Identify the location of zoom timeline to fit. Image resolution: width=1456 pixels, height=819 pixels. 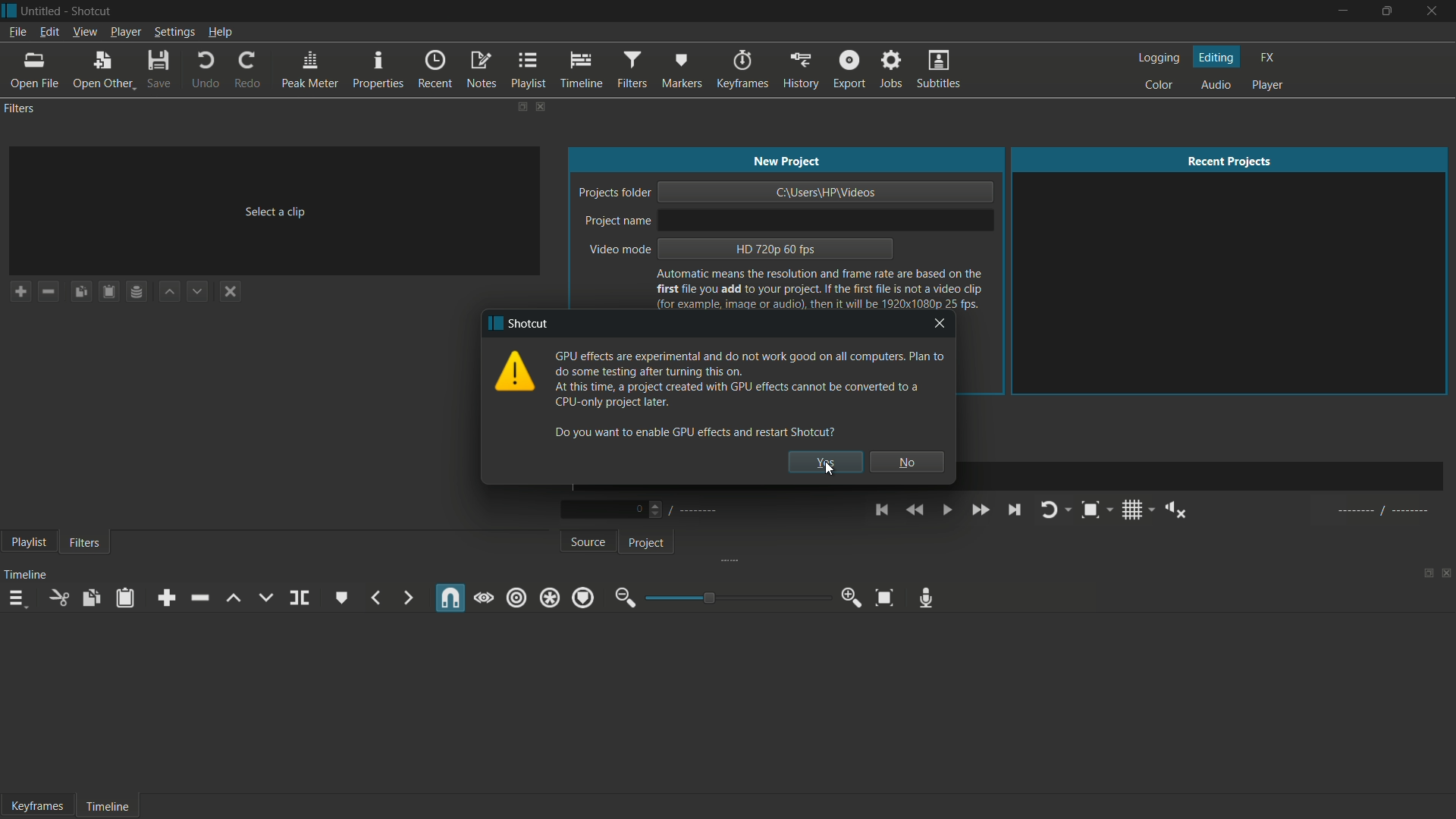
(884, 597).